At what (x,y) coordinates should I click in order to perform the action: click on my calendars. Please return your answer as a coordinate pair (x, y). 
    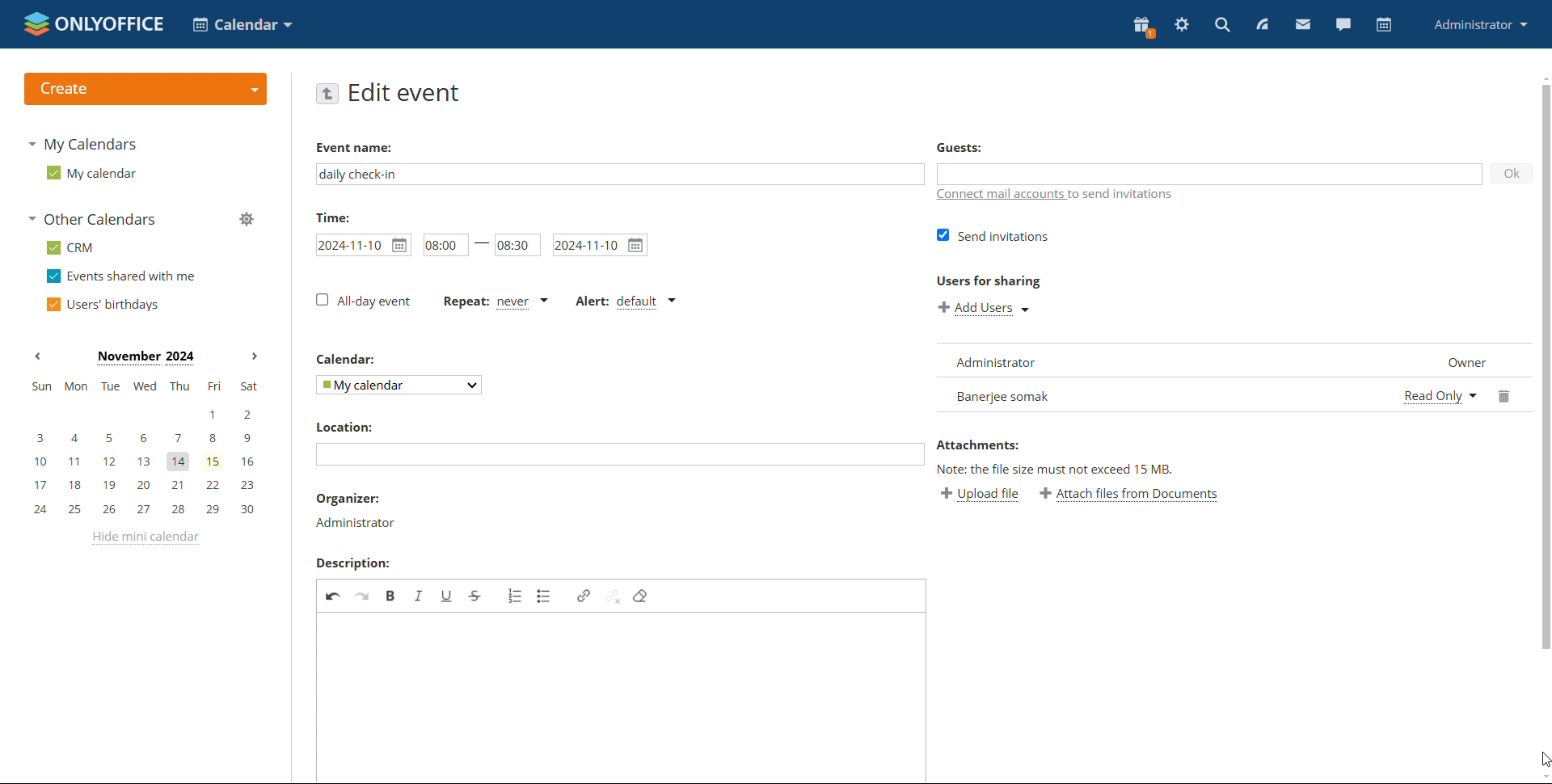
    Looking at the image, I should click on (81, 144).